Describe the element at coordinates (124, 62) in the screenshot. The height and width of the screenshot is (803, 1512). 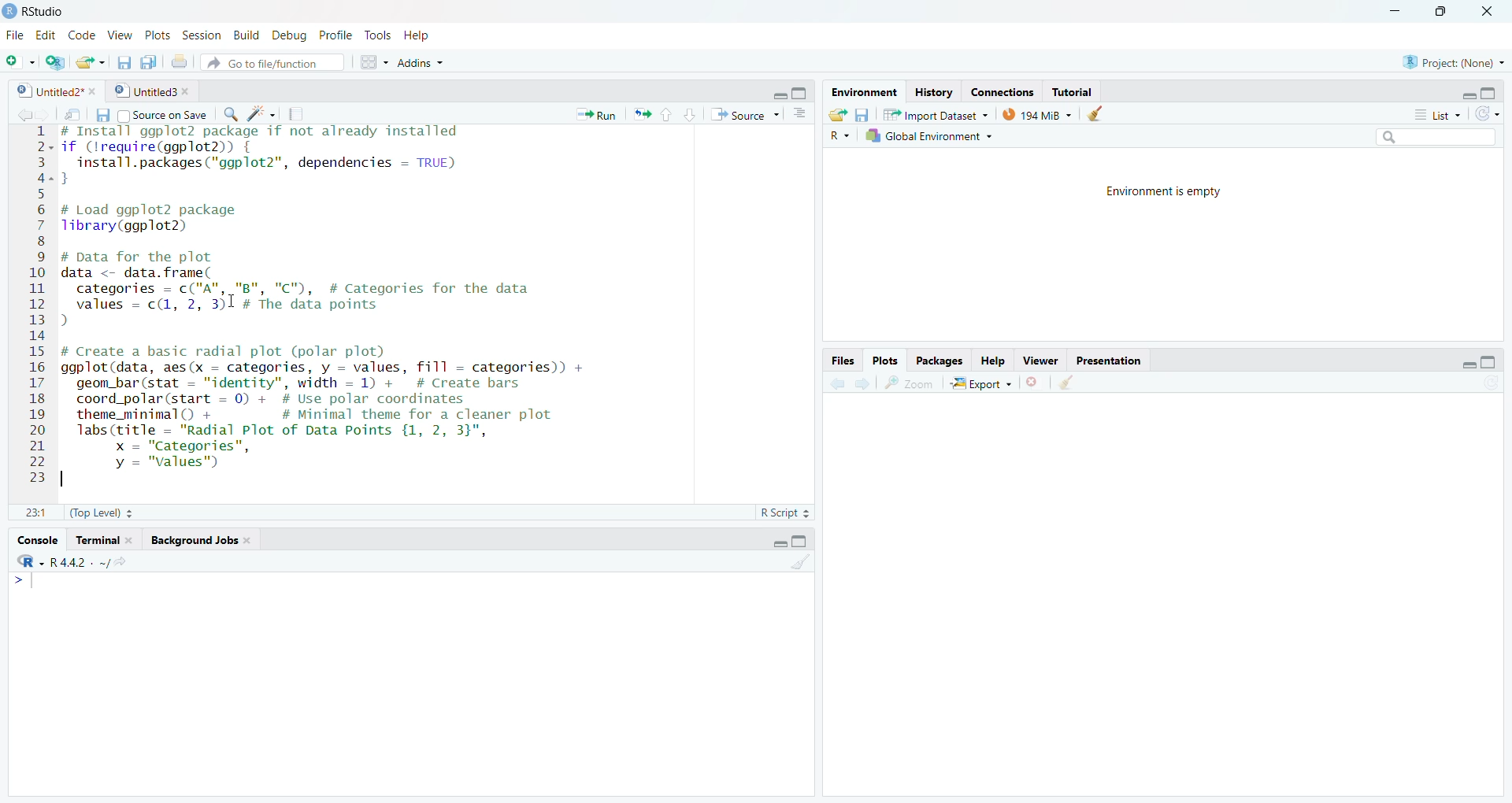
I see `save current document` at that location.